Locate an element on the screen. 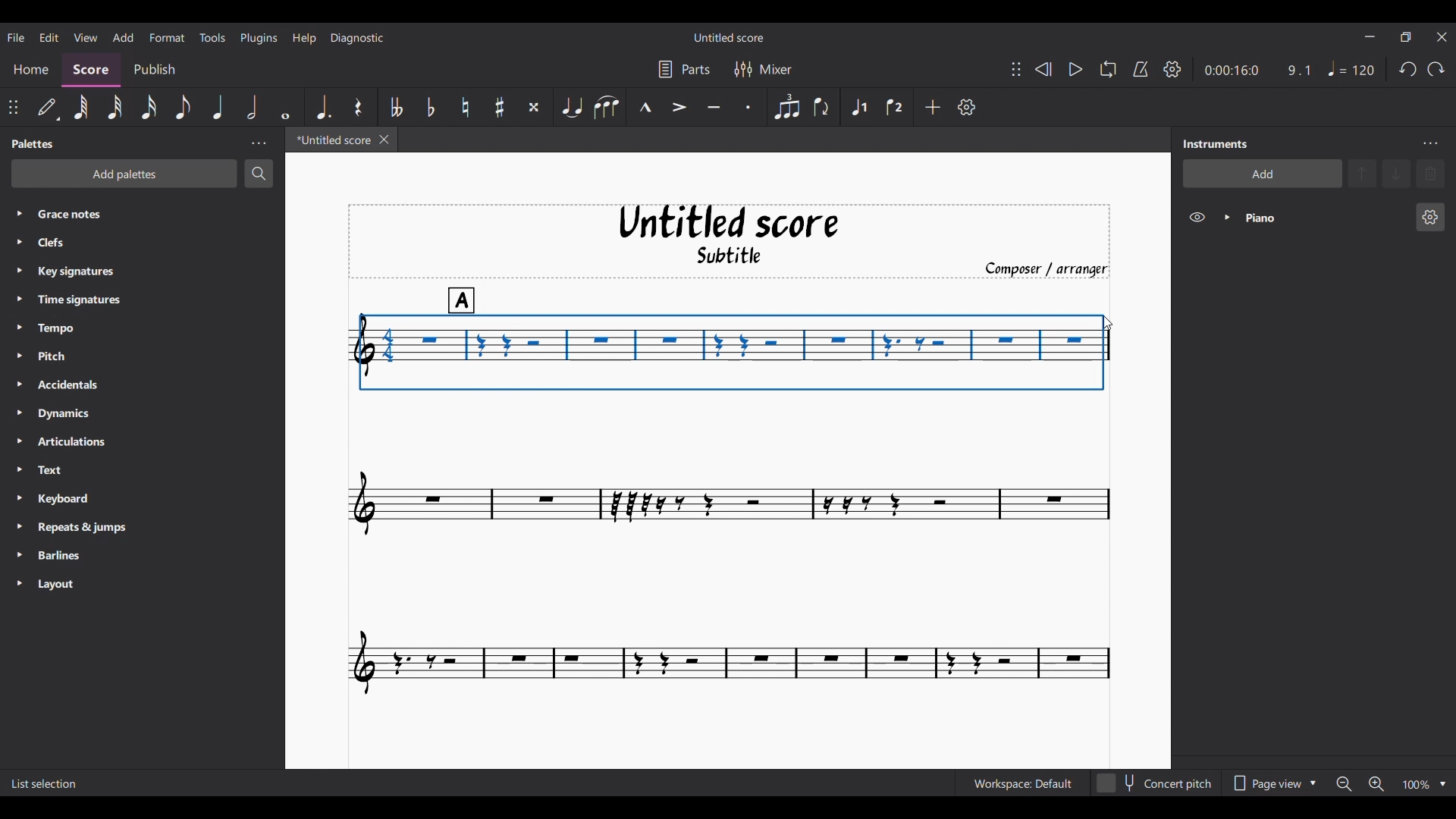 The image size is (1456, 819). Slur is located at coordinates (606, 107).